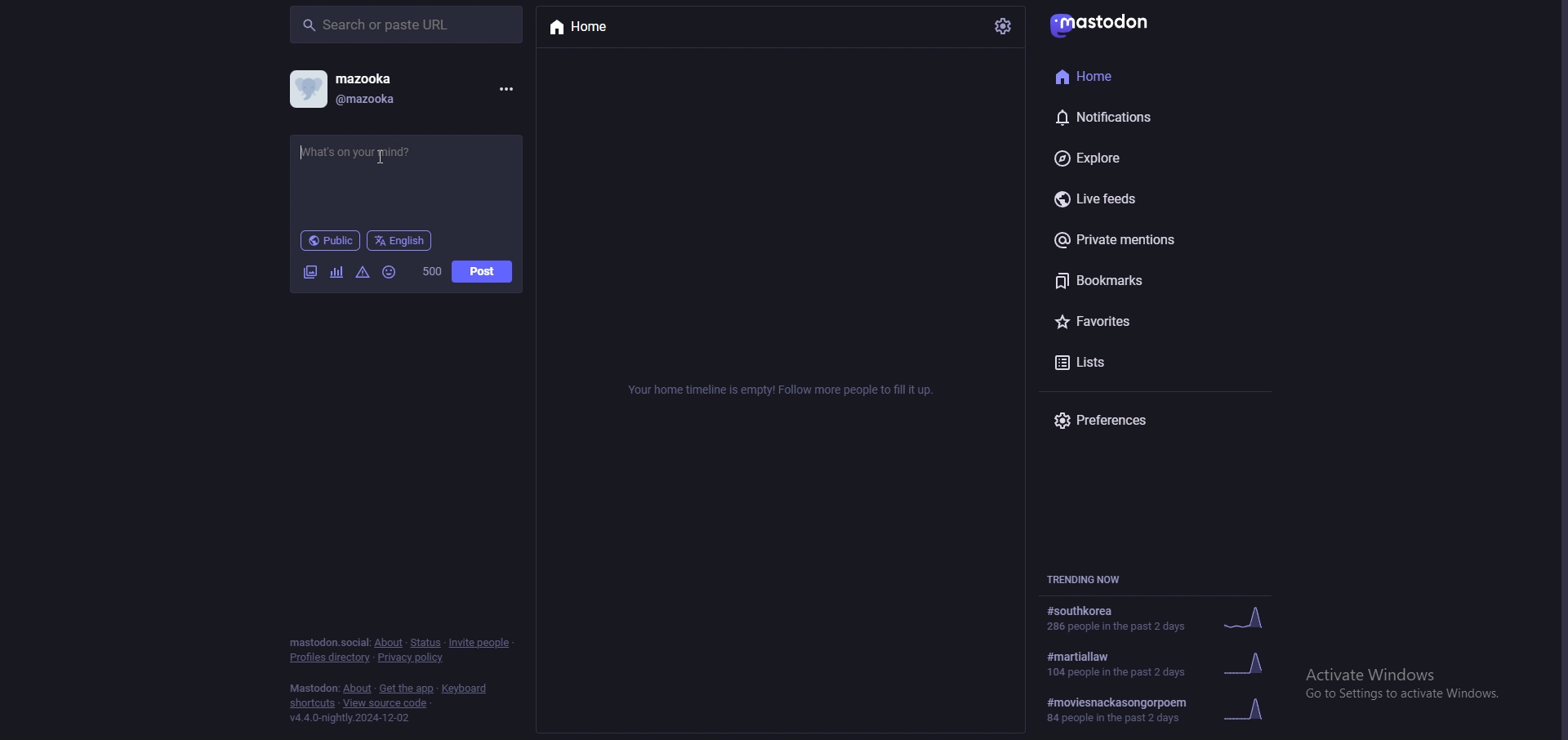 The height and width of the screenshot is (740, 1568). What do you see at coordinates (1160, 665) in the screenshot?
I see `trending` at bounding box center [1160, 665].